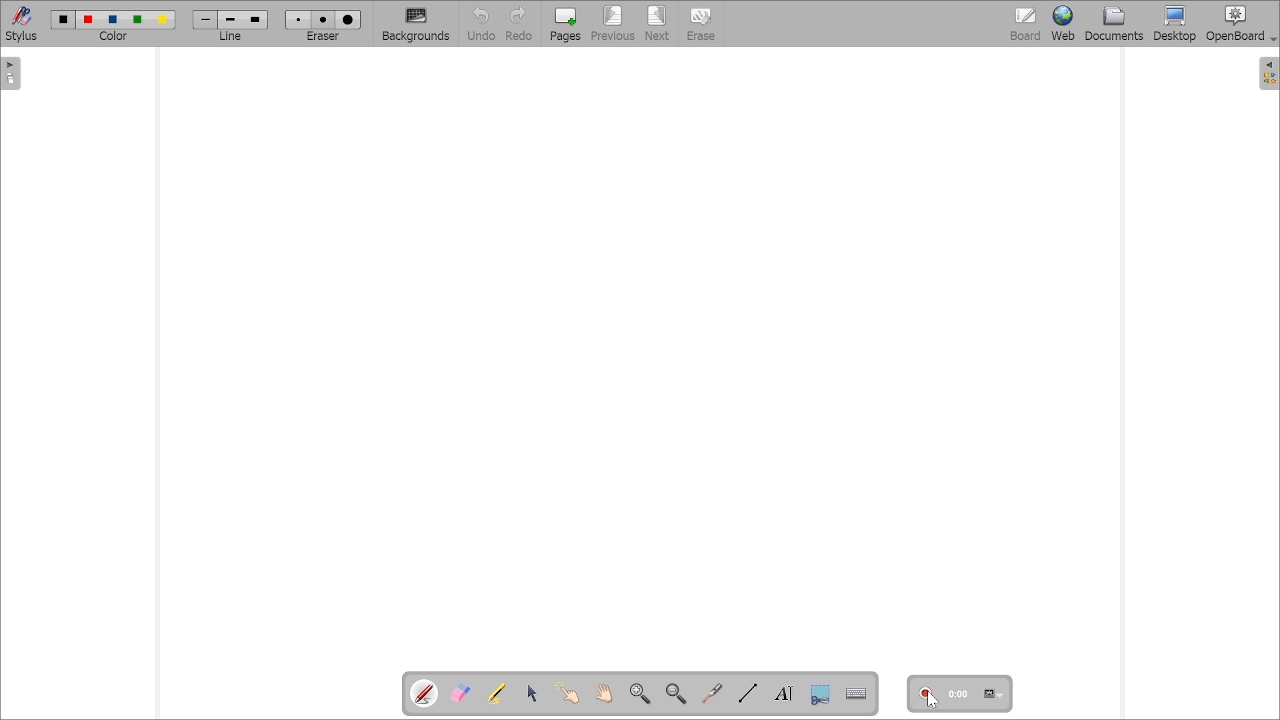 Image resolution: width=1280 pixels, height=720 pixels. What do you see at coordinates (229, 20) in the screenshot?
I see `line2` at bounding box center [229, 20].